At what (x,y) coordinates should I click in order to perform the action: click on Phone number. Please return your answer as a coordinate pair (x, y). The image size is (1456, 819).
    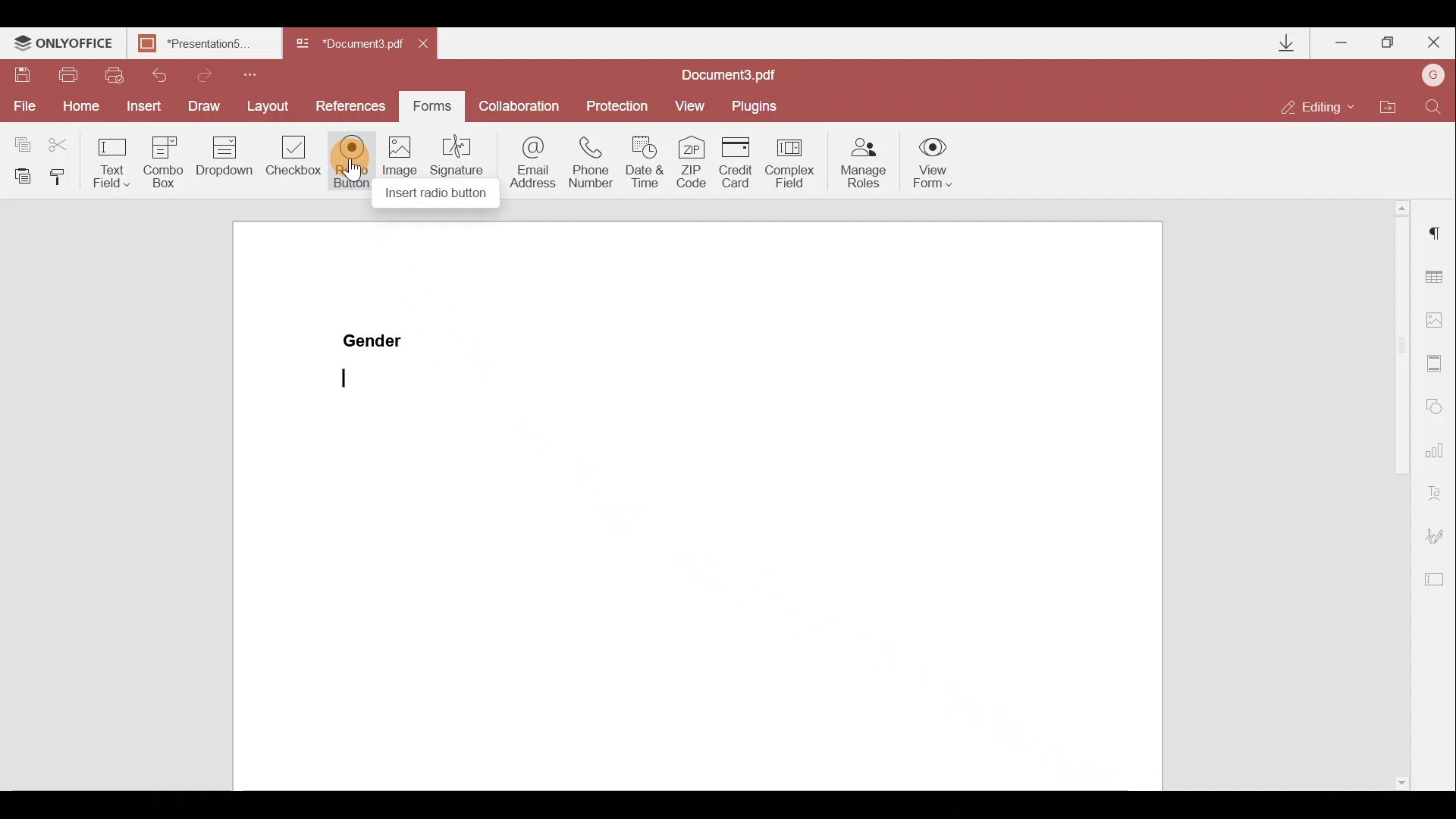
    Looking at the image, I should click on (597, 161).